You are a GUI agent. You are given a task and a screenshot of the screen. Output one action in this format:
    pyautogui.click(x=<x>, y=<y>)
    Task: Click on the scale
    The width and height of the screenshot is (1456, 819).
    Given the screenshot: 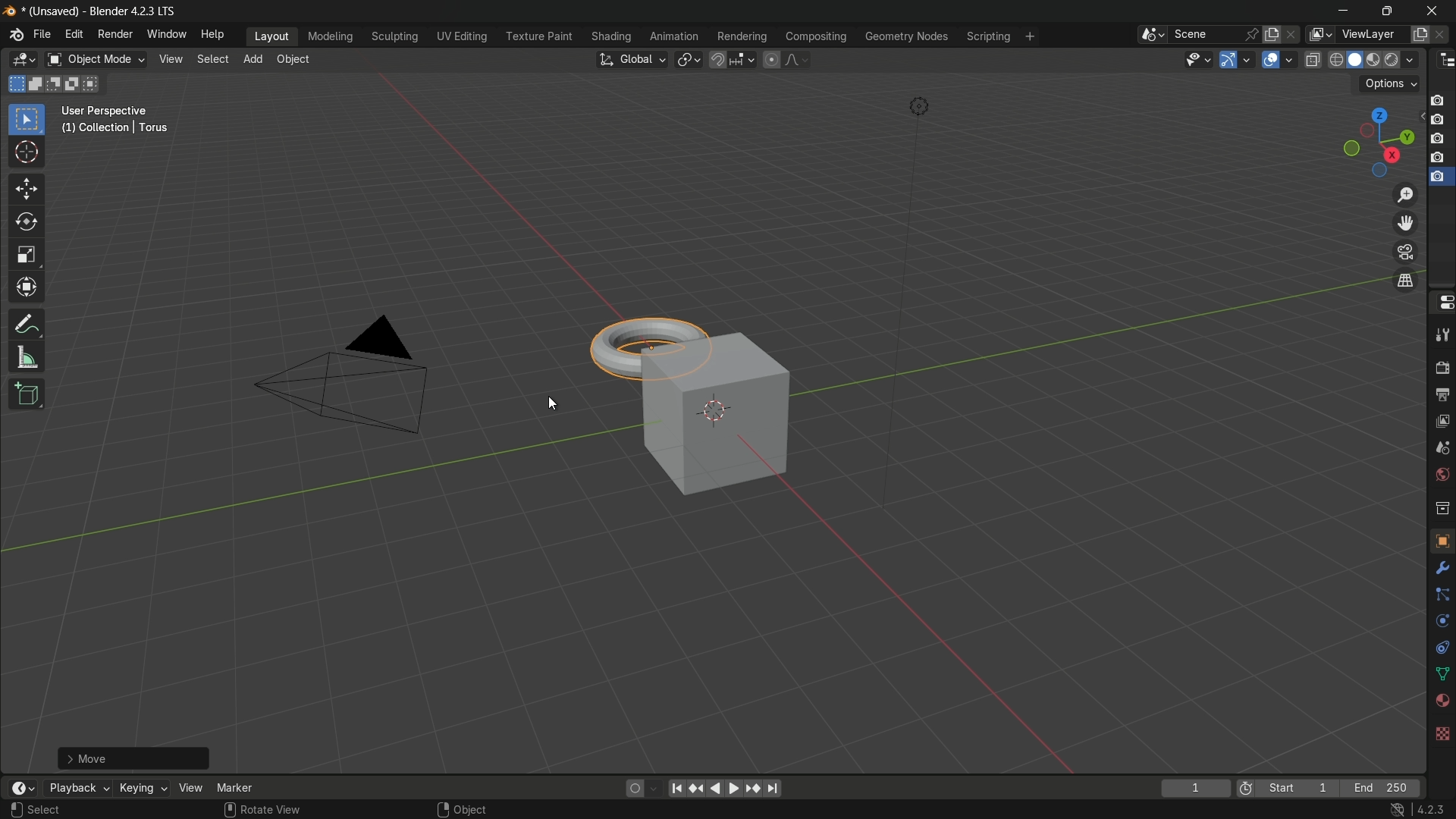 What is the action you would take?
    pyautogui.click(x=27, y=256)
    